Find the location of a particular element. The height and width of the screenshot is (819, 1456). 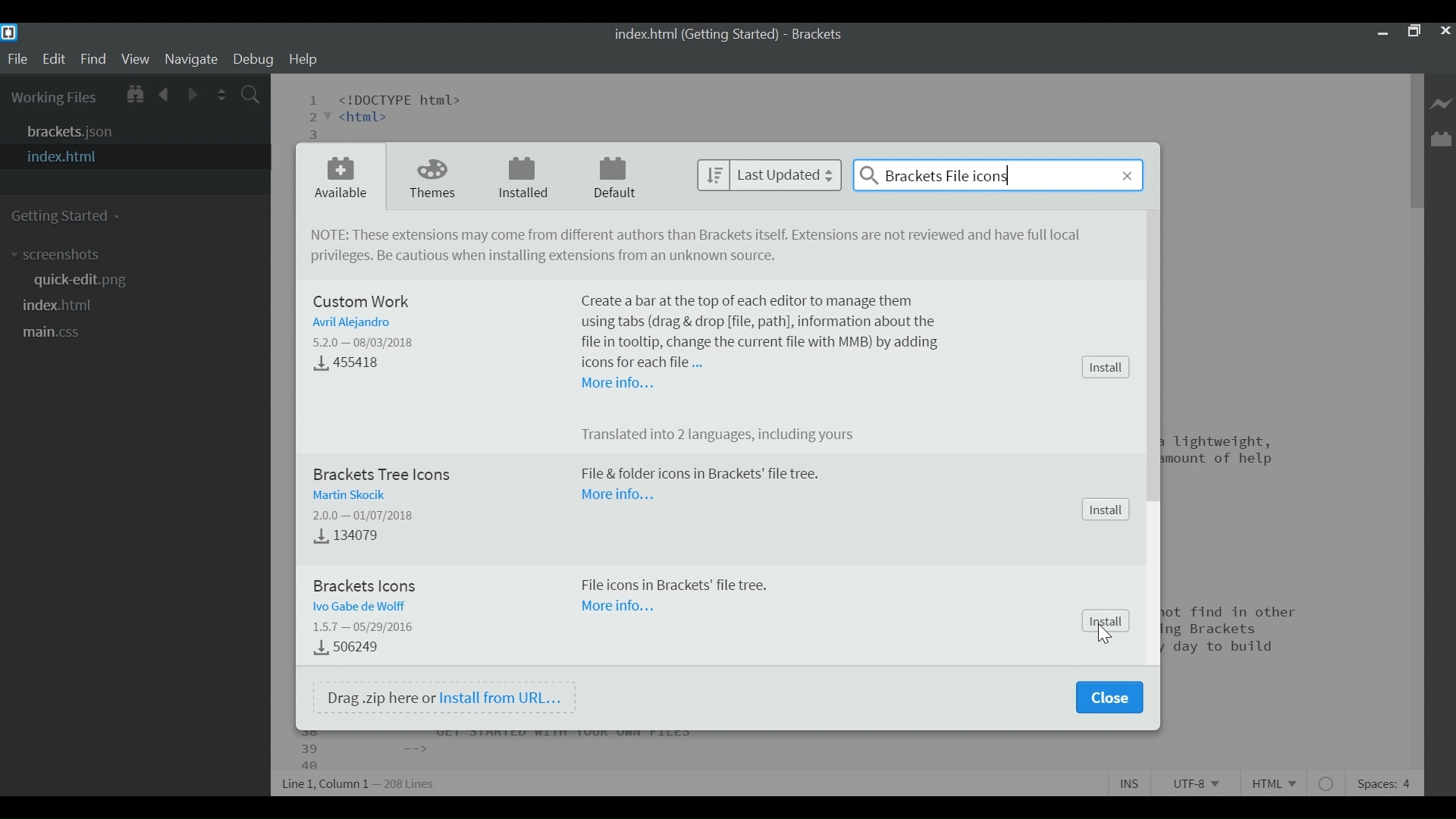

Navigate Backward is located at coordinates (165, 94).